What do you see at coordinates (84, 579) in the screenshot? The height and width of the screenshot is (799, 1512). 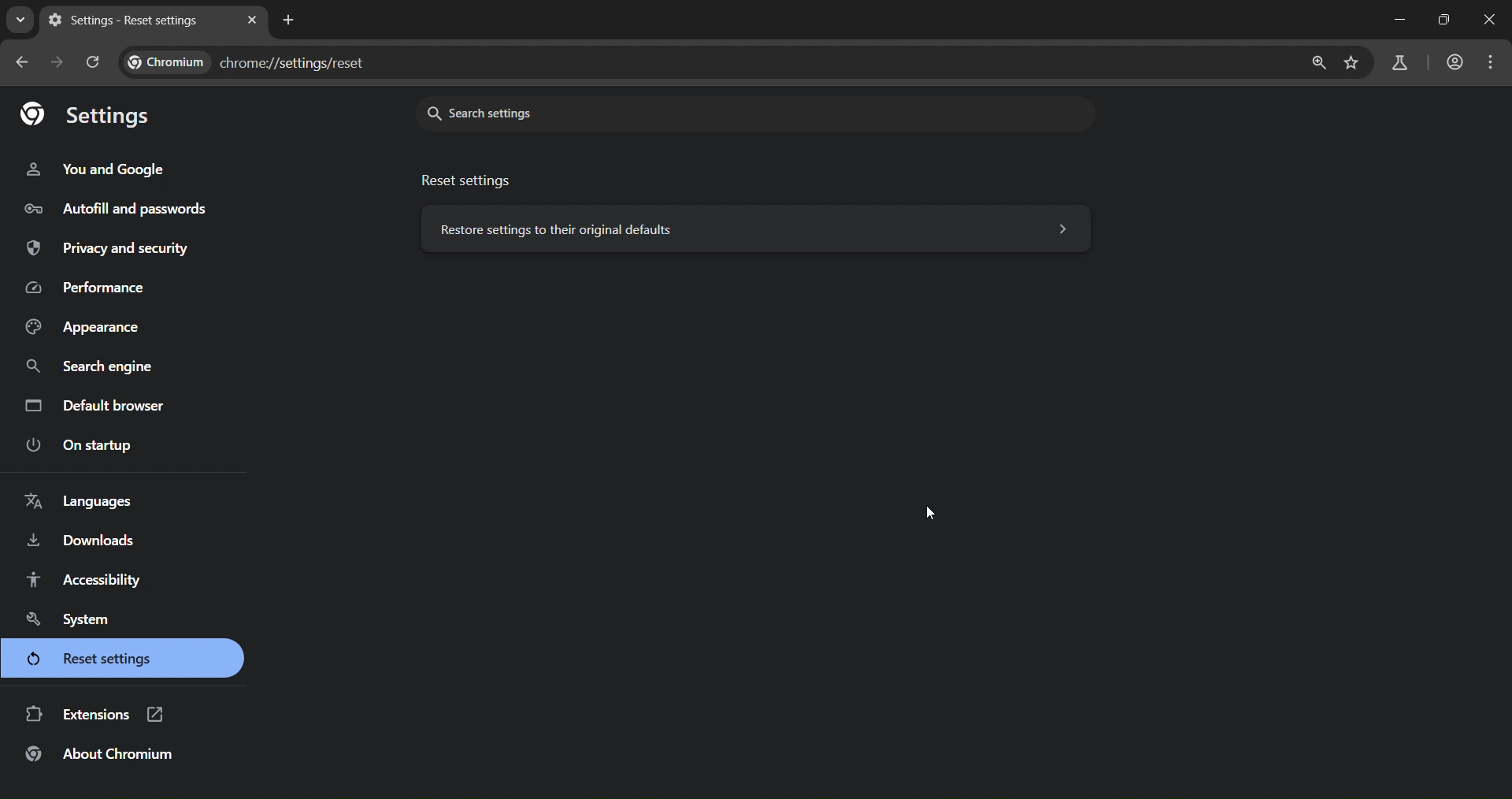 I see `accessibility` at bounding box center [84, 579].